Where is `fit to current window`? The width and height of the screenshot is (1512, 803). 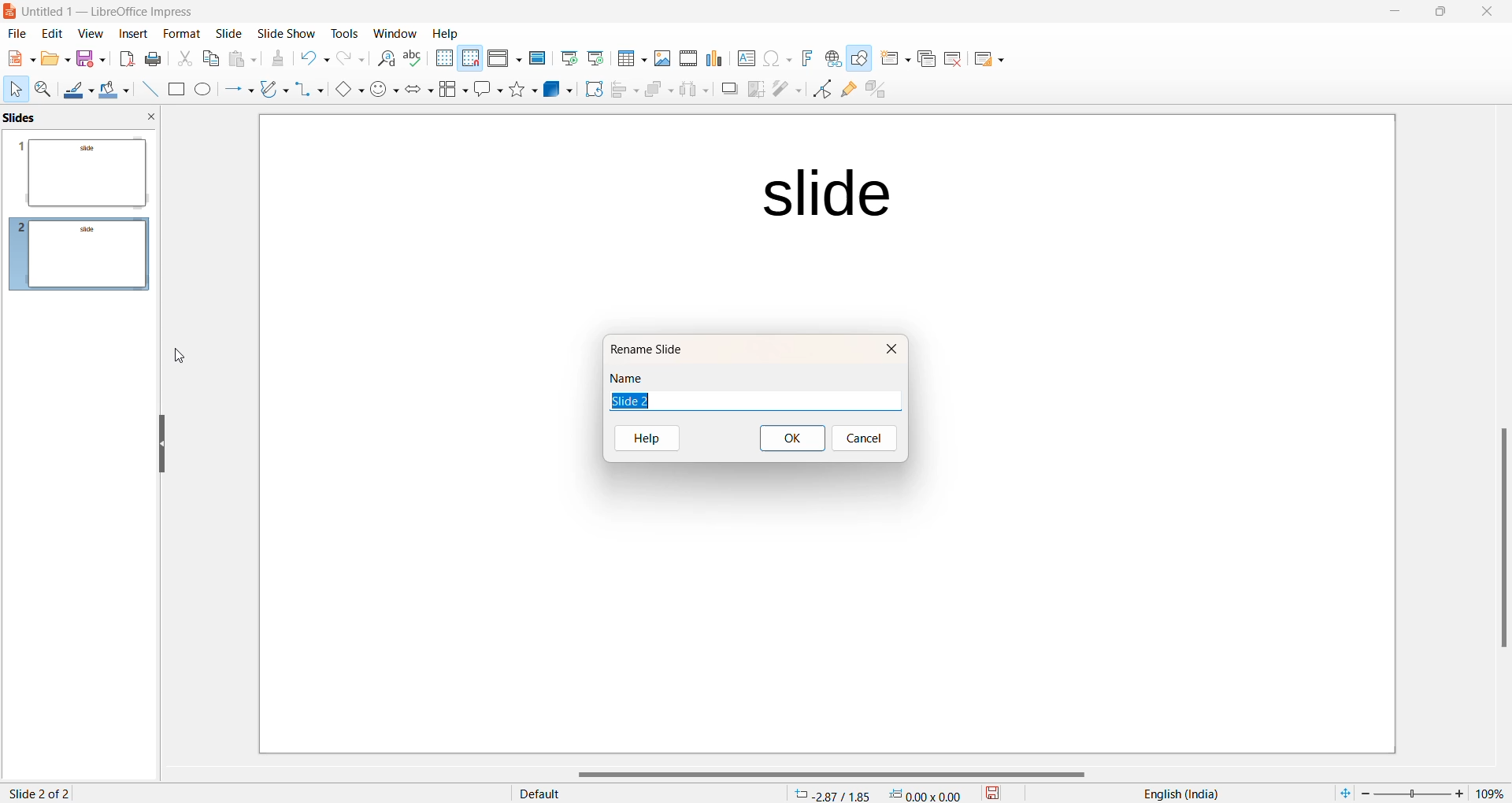 fit to current window is located at coordinates (1341, 793).